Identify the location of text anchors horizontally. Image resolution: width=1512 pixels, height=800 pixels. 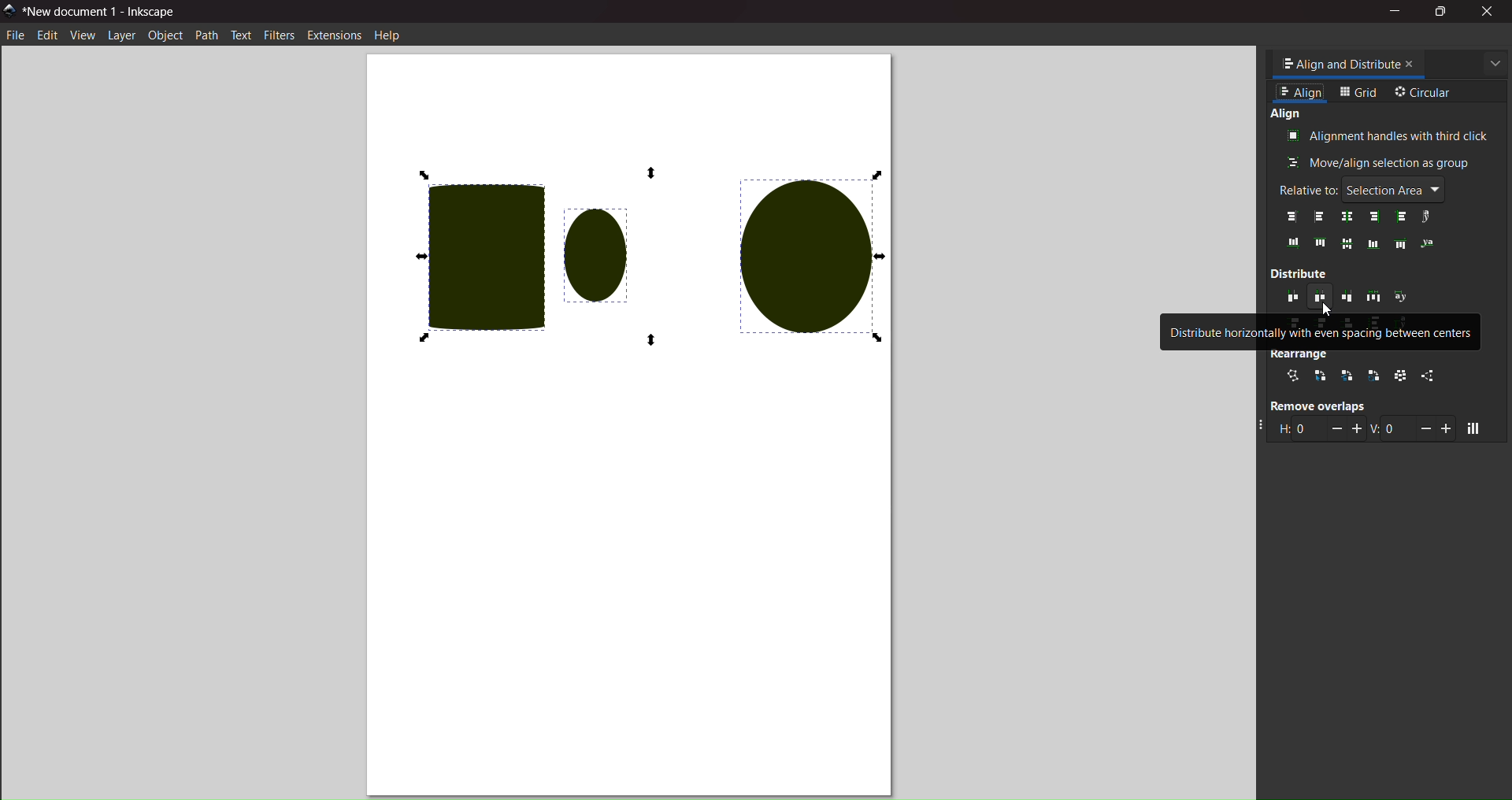
(1432, 217).